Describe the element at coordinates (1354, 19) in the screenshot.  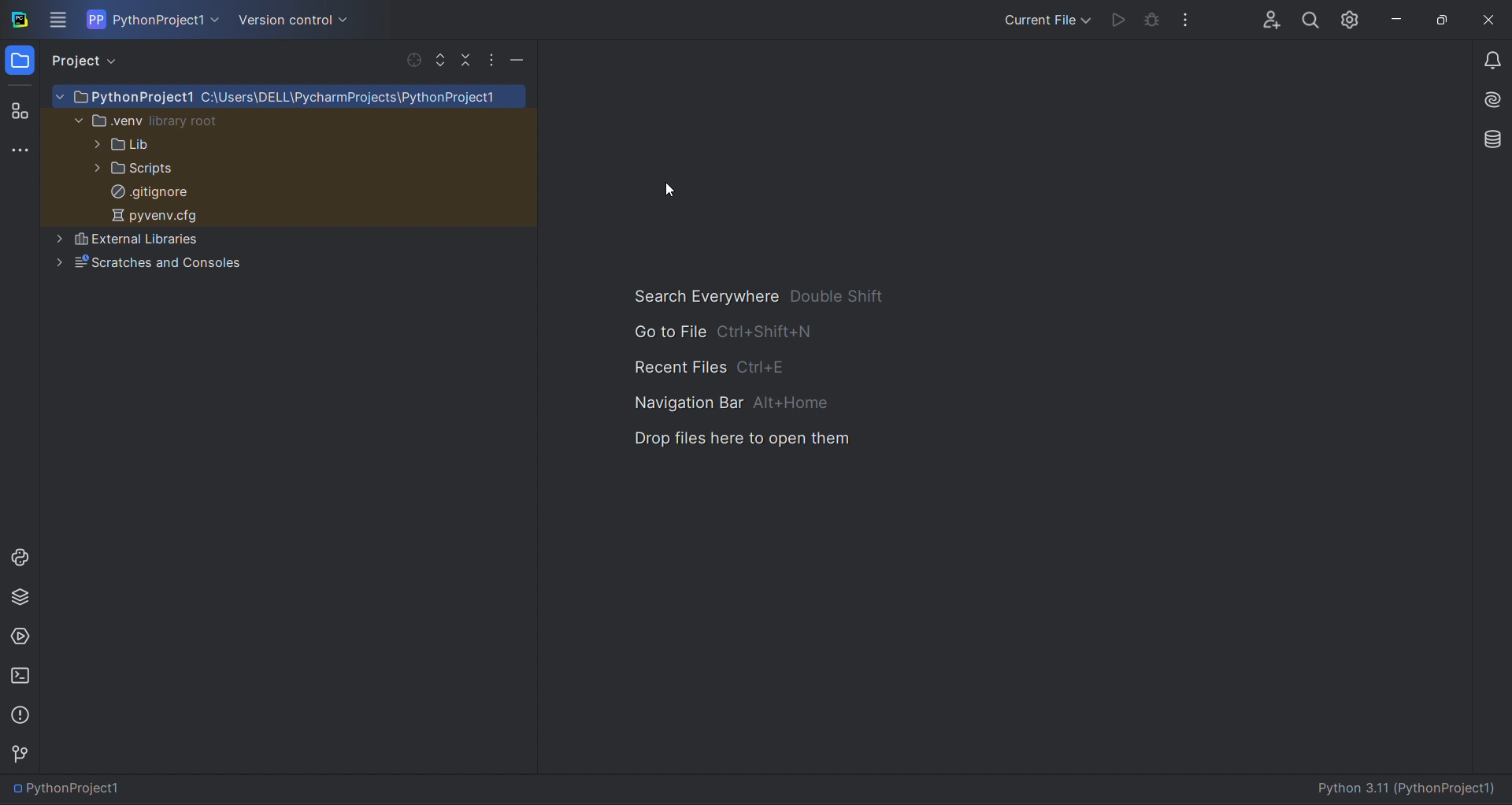
I see `sttings` at that location.